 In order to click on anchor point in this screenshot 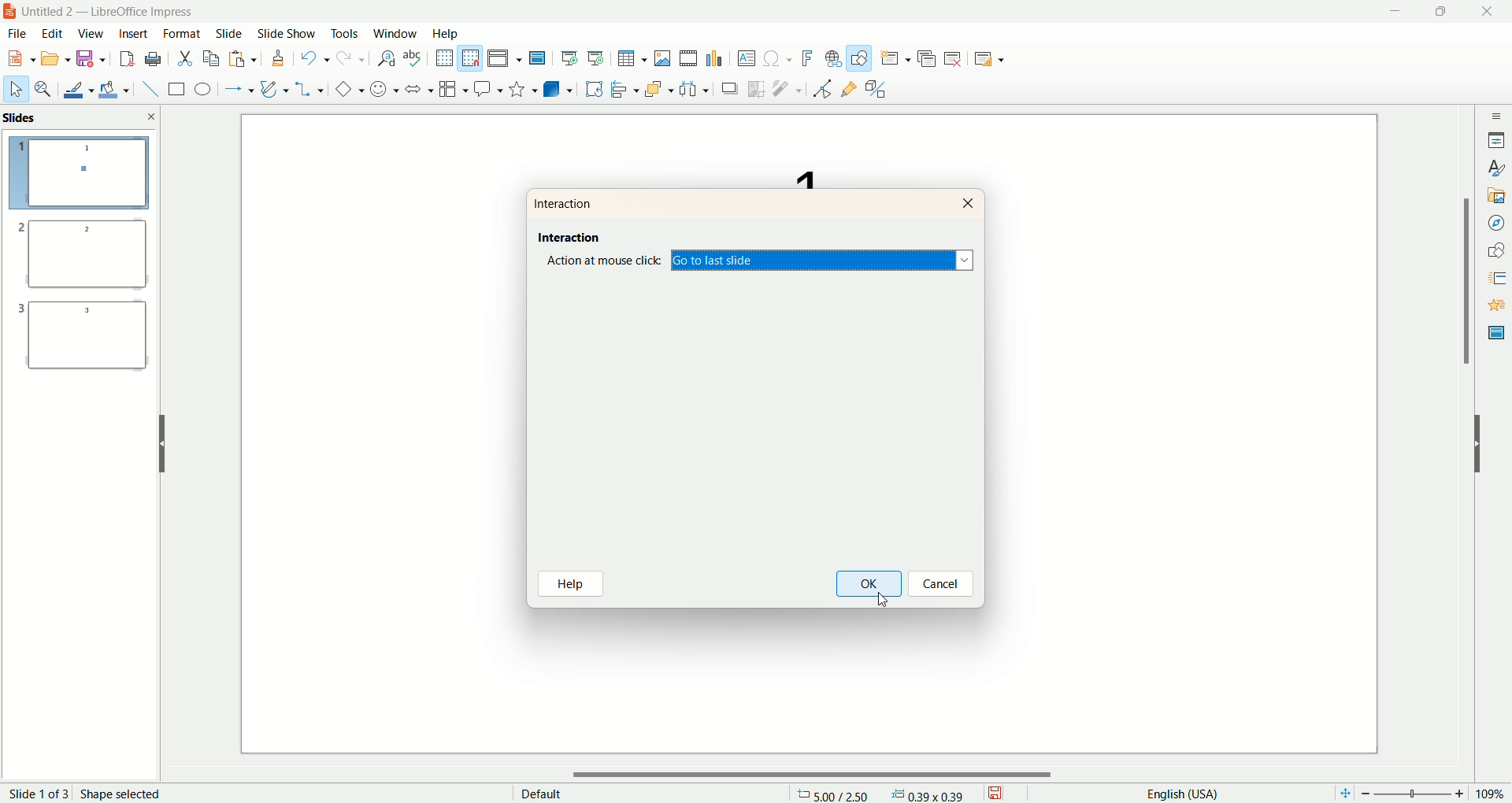, I will do `click(935, 794)`.